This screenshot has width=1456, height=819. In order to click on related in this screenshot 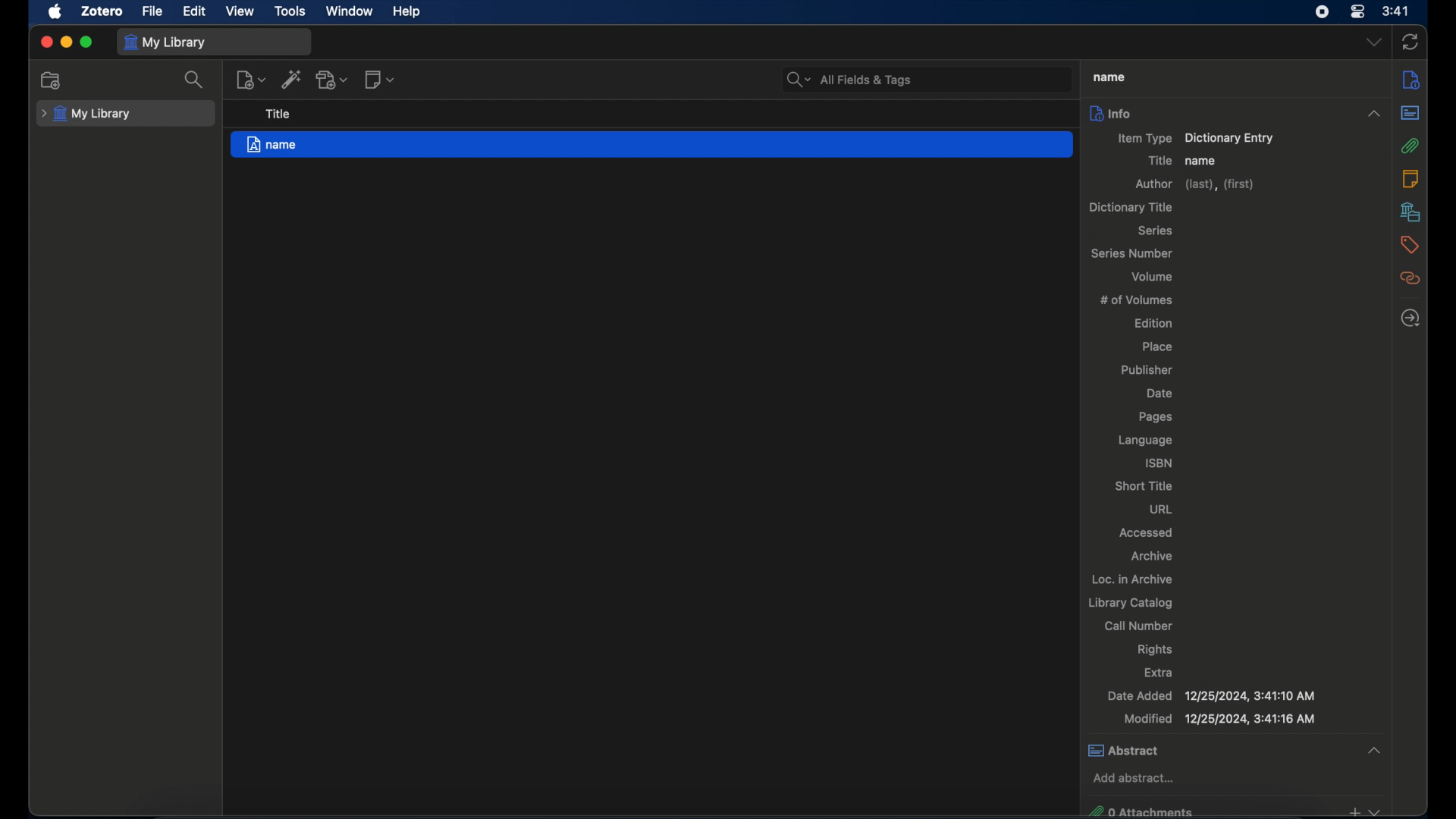, I will do `click(1411, 278)`.